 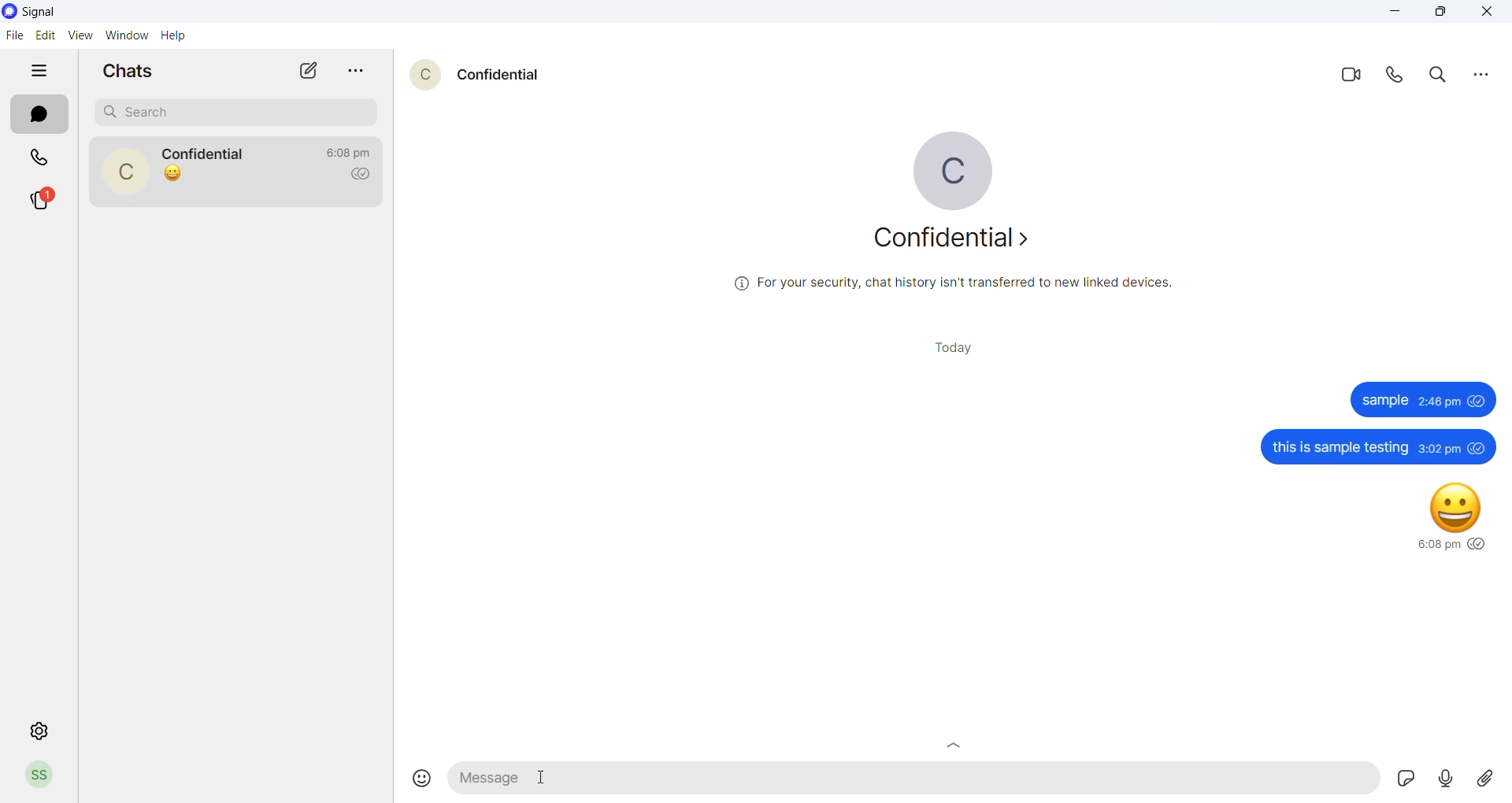 What do you see at coordinates (39, 117) in the screenshot?
I see `chats` at bounding box center [39, 117].